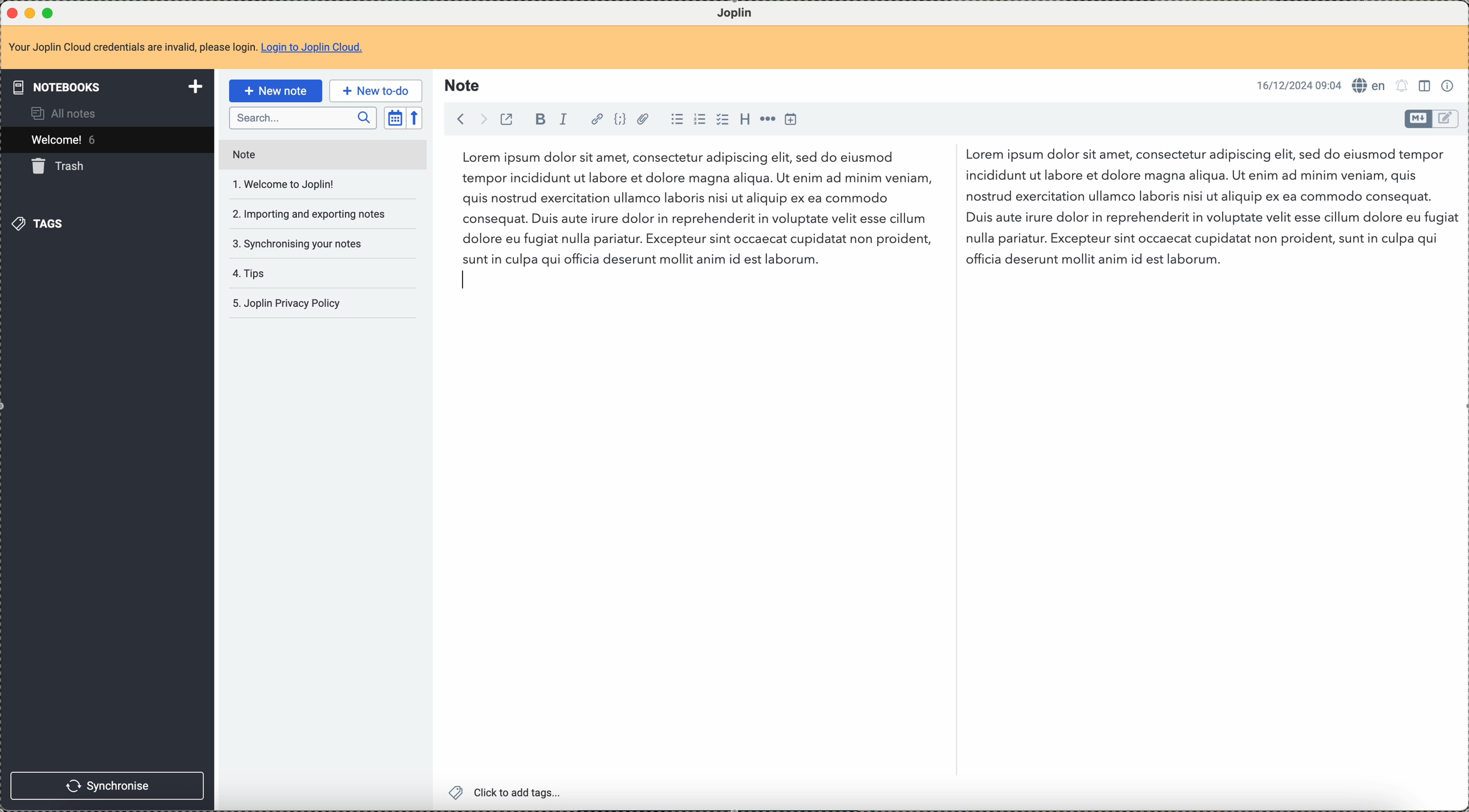  What do you see at coordinates (105, 140) in the screenshot?
I see `welcome` at bounding box center [105, 140].